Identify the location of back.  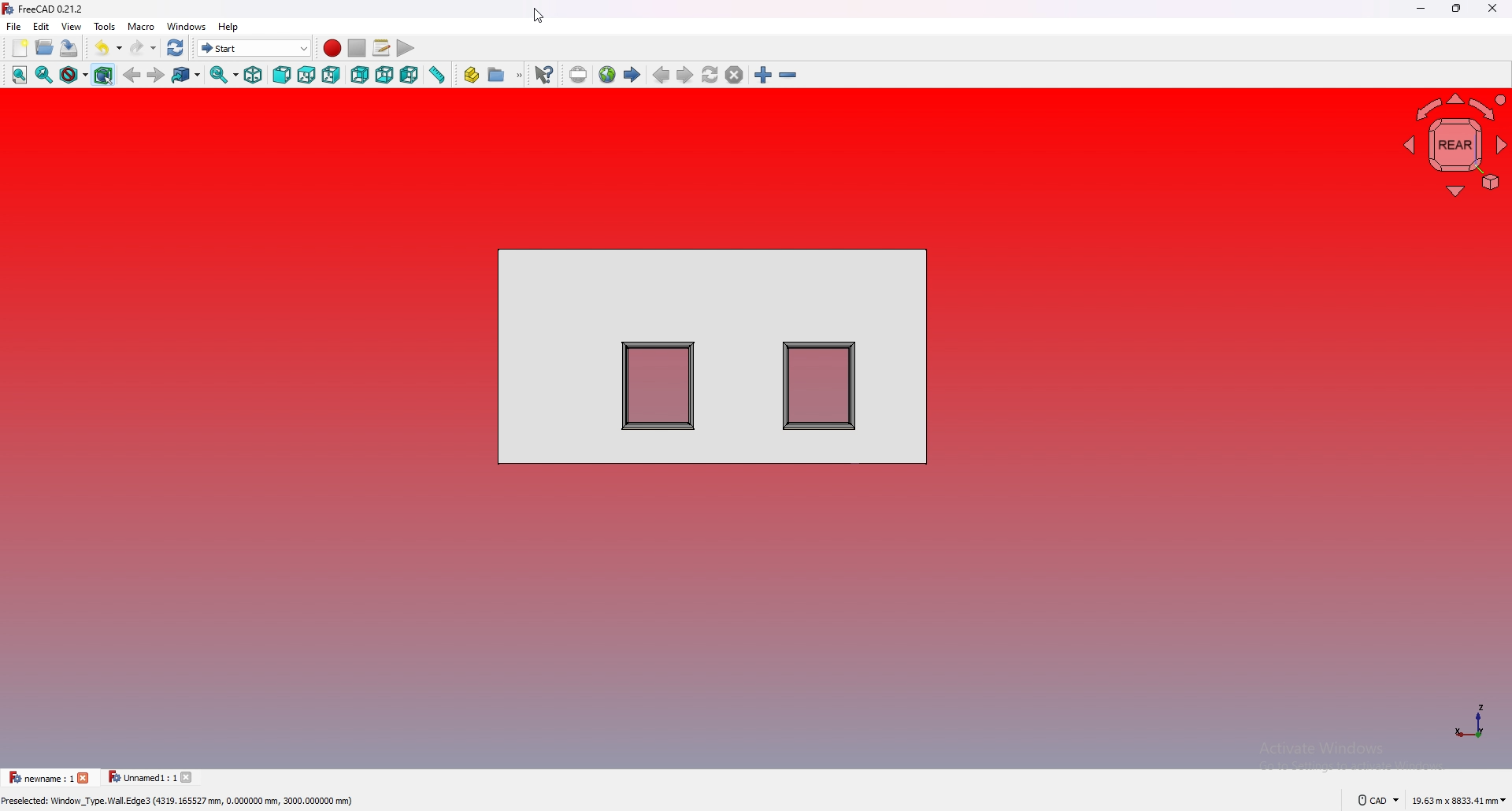
(133, 75).